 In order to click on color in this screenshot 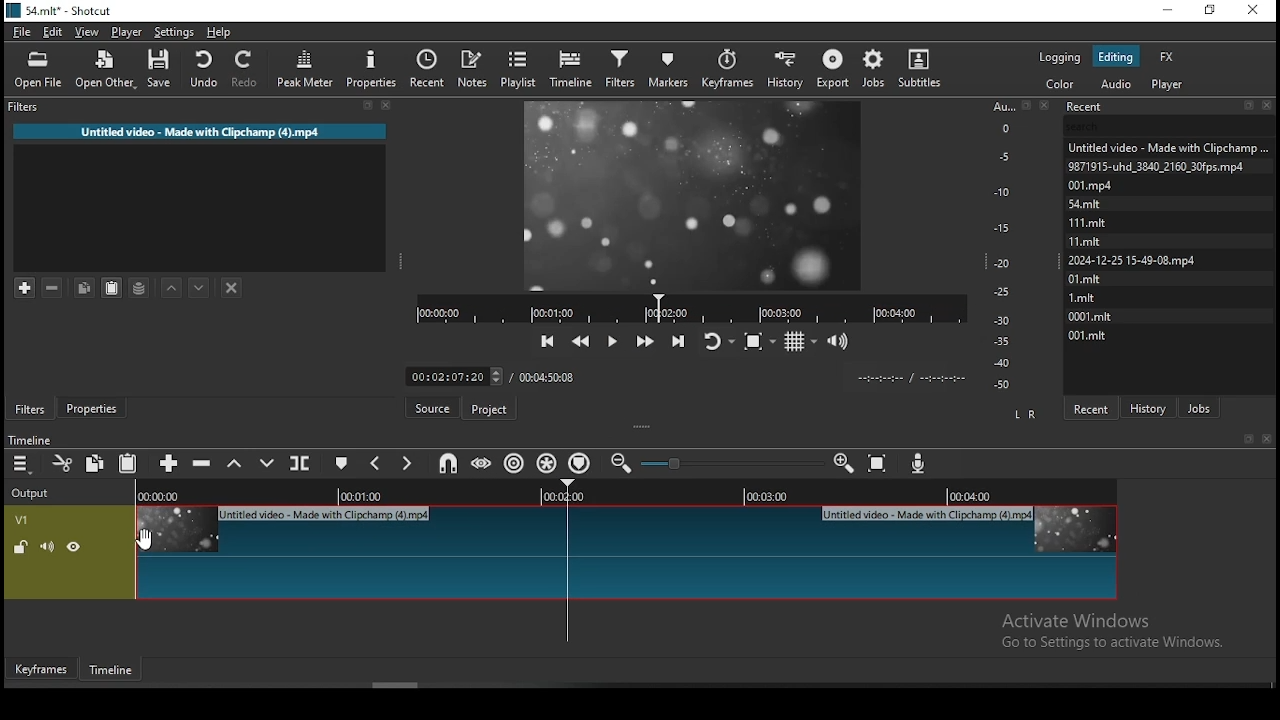, I will do `click(1061, 83)`.